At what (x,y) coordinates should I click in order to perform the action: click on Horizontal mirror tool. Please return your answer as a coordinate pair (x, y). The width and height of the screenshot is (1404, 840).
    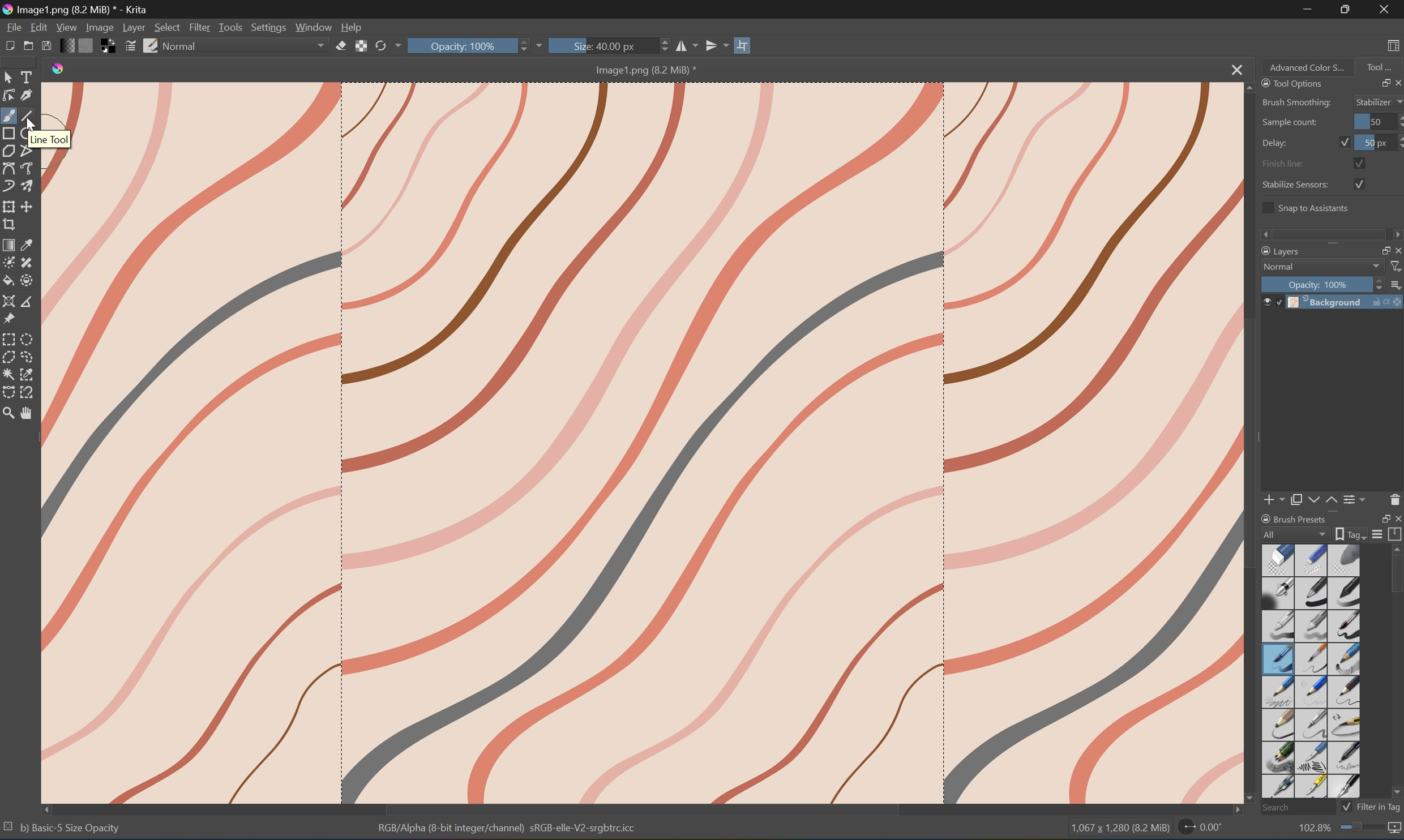
    Looking at the image, I should click on (686, 46).